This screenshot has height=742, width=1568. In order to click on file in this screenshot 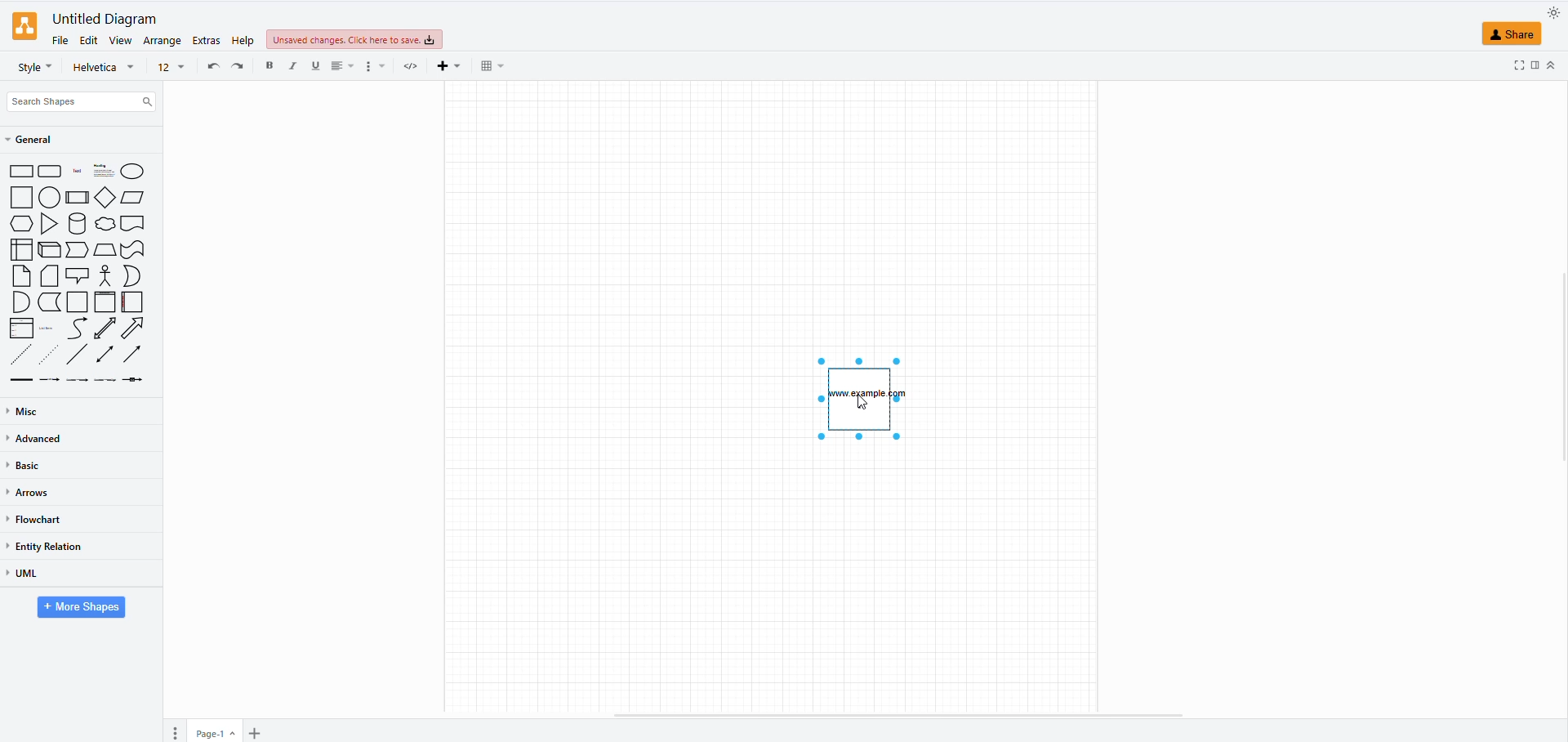, I will do `click(60, 42)`.